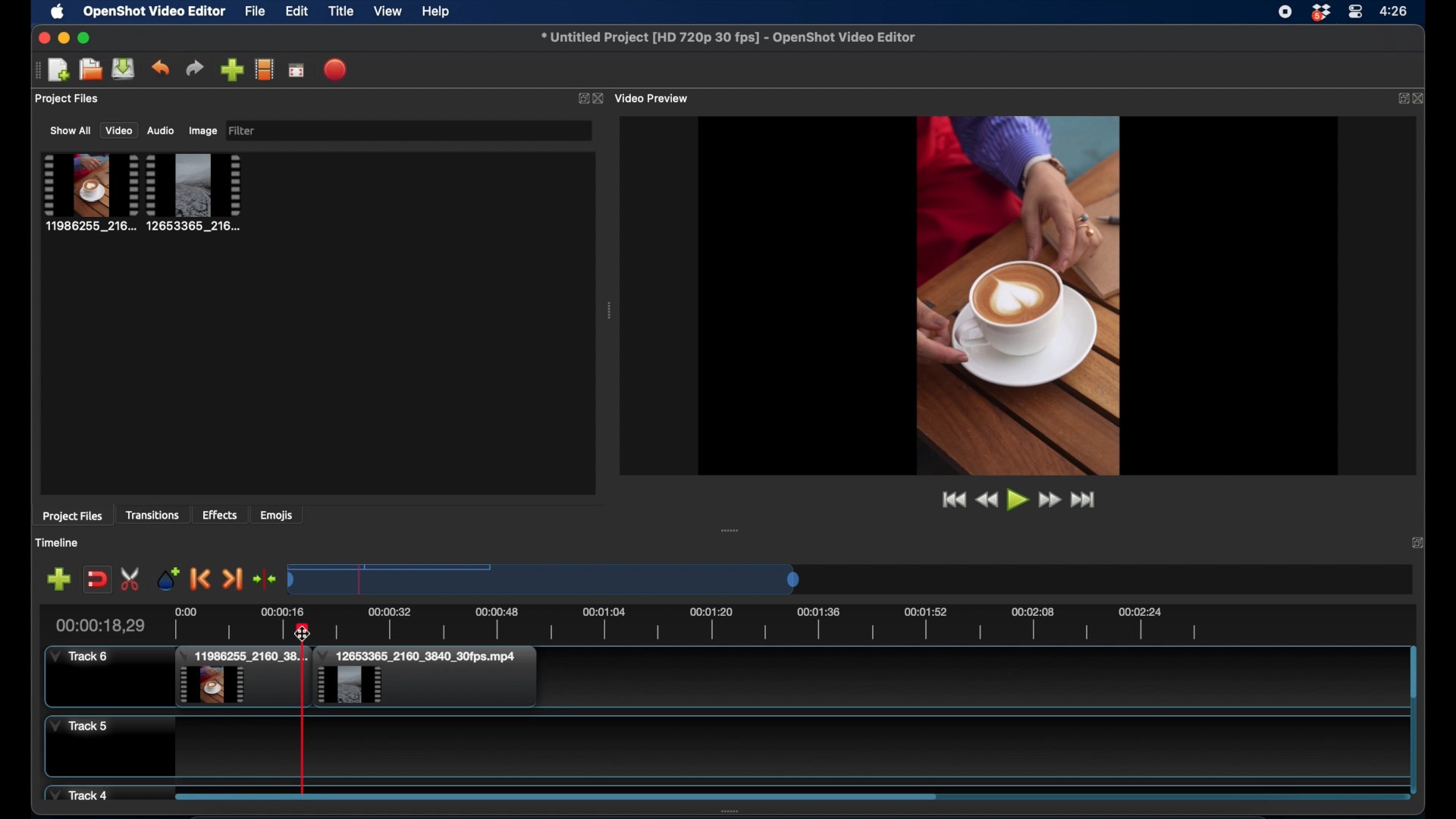 This screenshot has width=1456, height=819. Describe the element at coordinates (1018, 294) in the screenshot. I see `video preview` at that location.